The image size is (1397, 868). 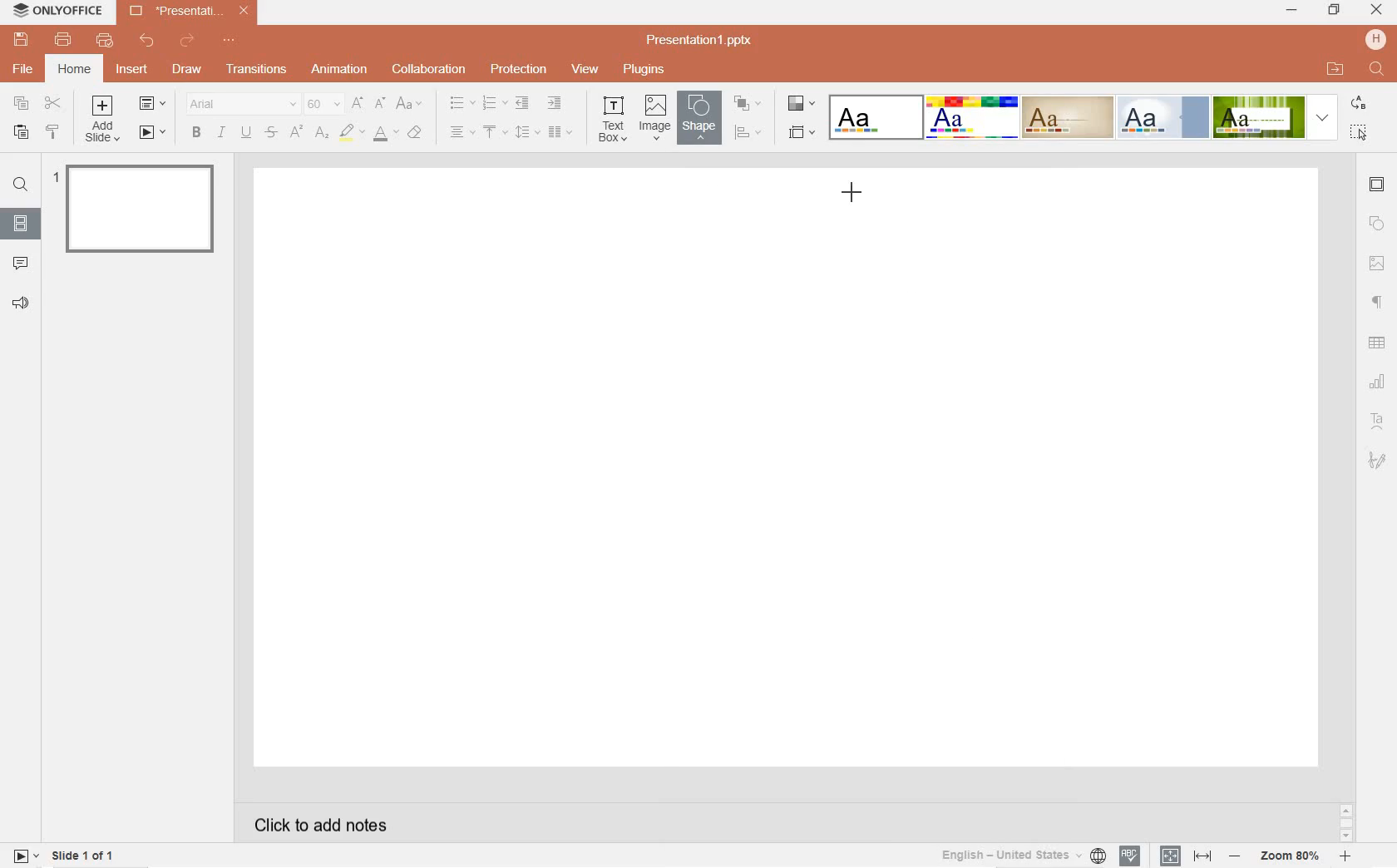 I want to click on slide 1, so click(x=138, y=207).